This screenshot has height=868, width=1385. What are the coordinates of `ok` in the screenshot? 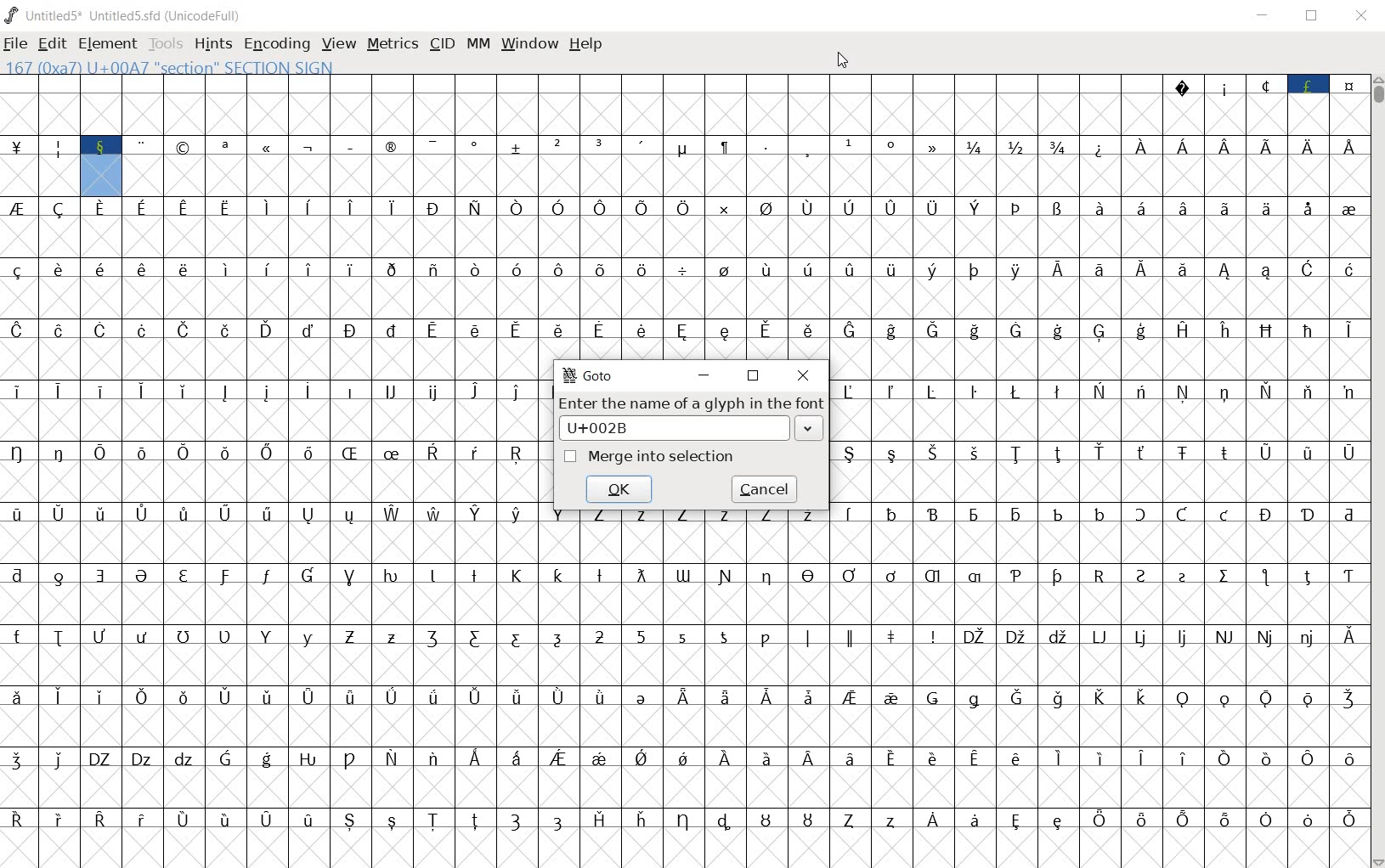 It's located at (617, 489).